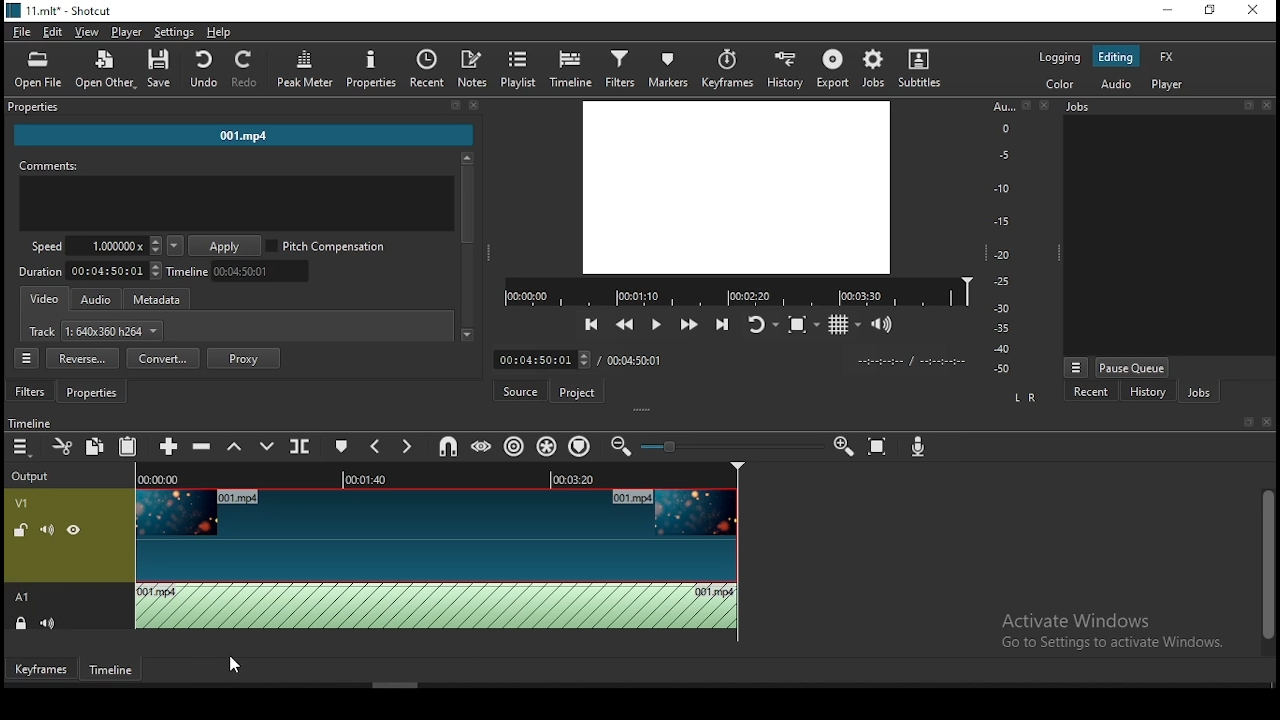 This screenshot has height=720, width=1280. What do you see at coordinates (480, 447) in the screenshot?
I see `scrub while dragging` at bounding box center [480, 447].